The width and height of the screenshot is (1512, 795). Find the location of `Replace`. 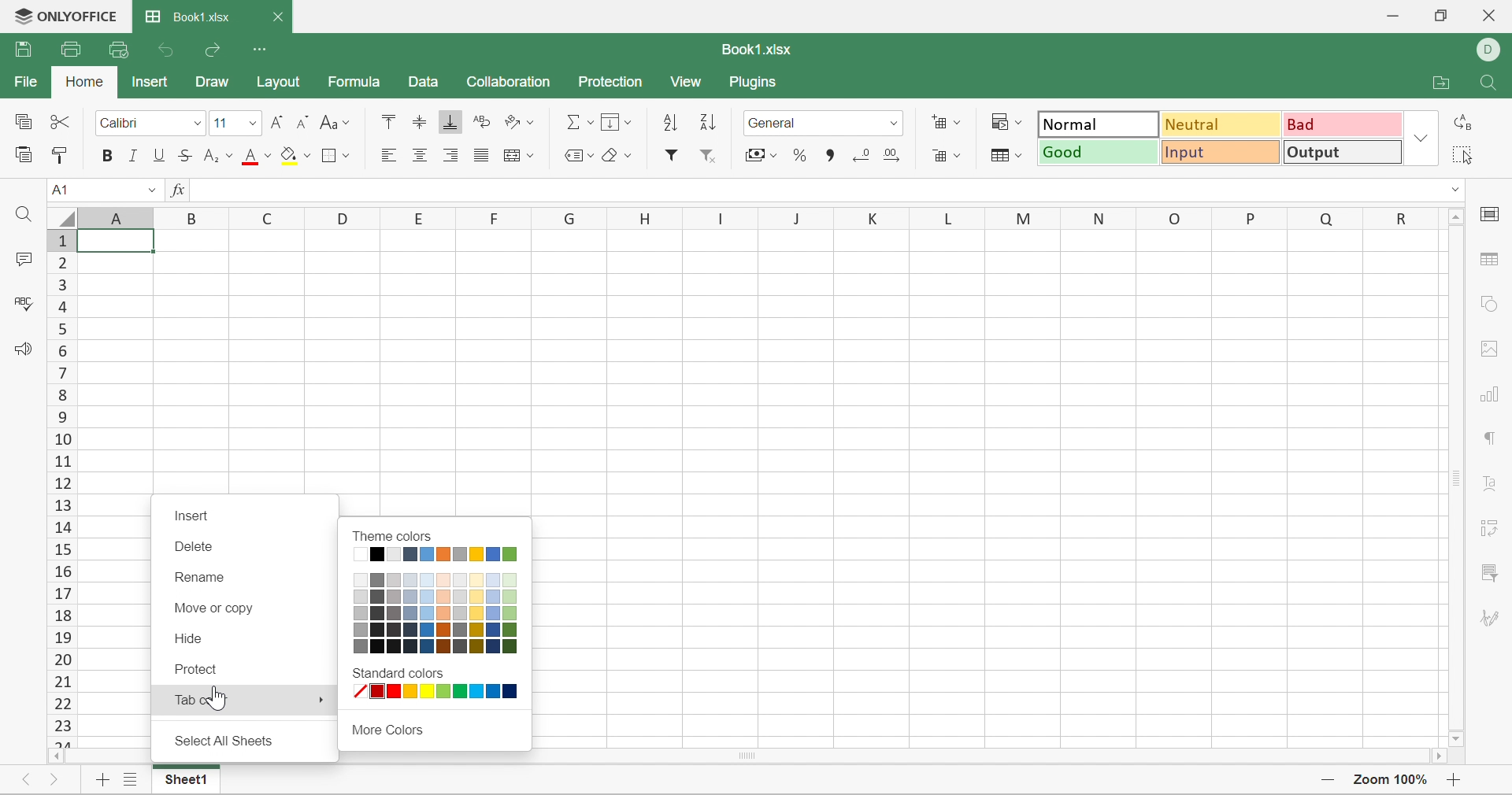

Replace is located at coordinates (1461, 124).